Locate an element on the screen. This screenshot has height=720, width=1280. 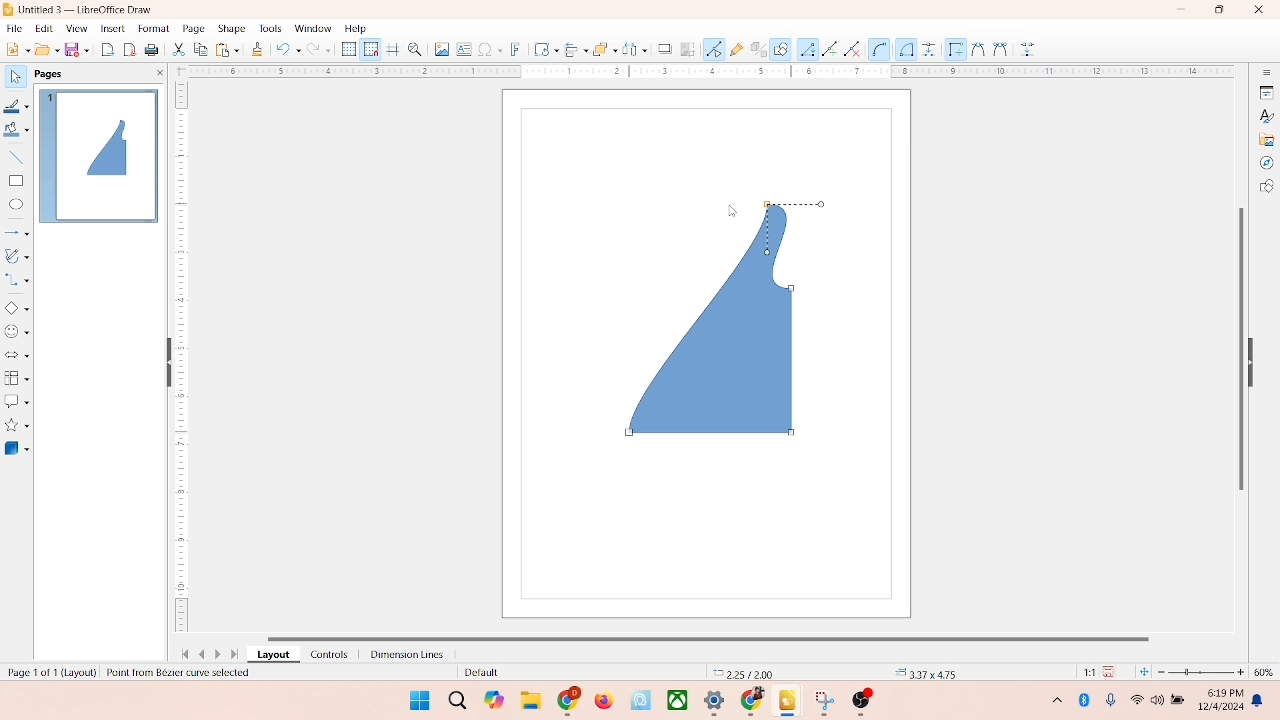
speaker is located at coordinates (1160, 700).